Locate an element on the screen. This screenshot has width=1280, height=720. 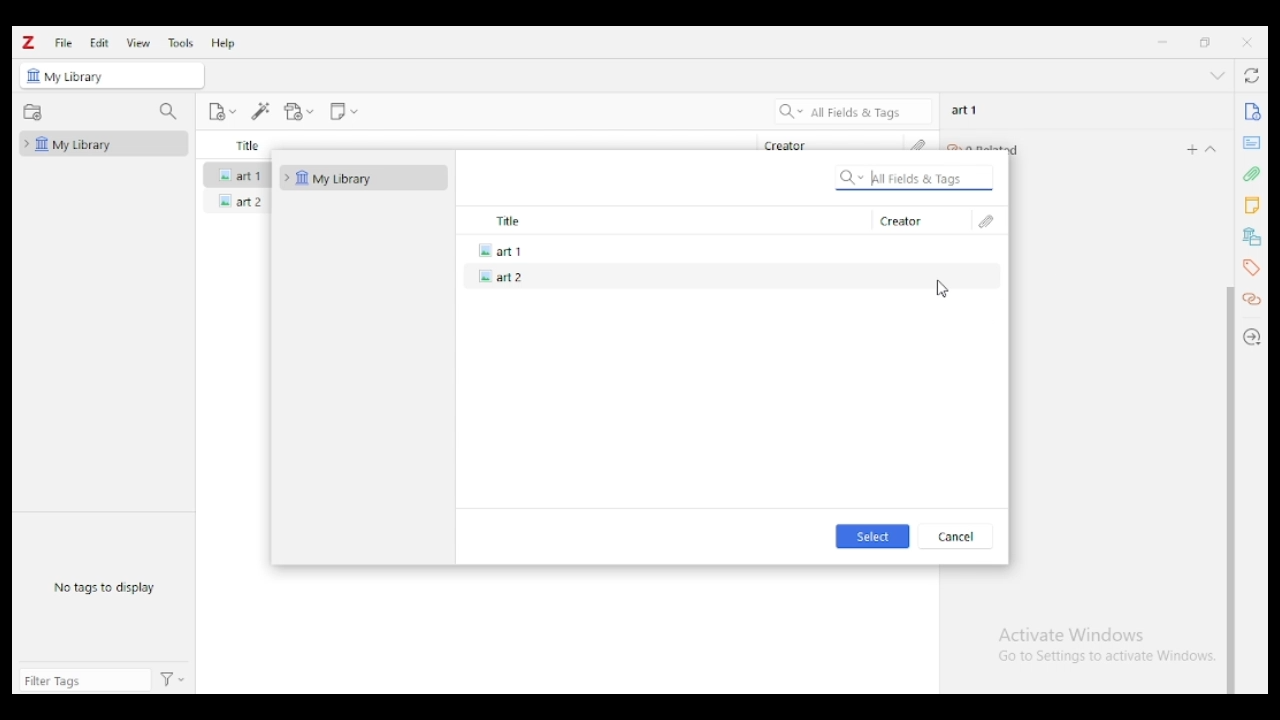
cursor is located at coordinates (942, 291).